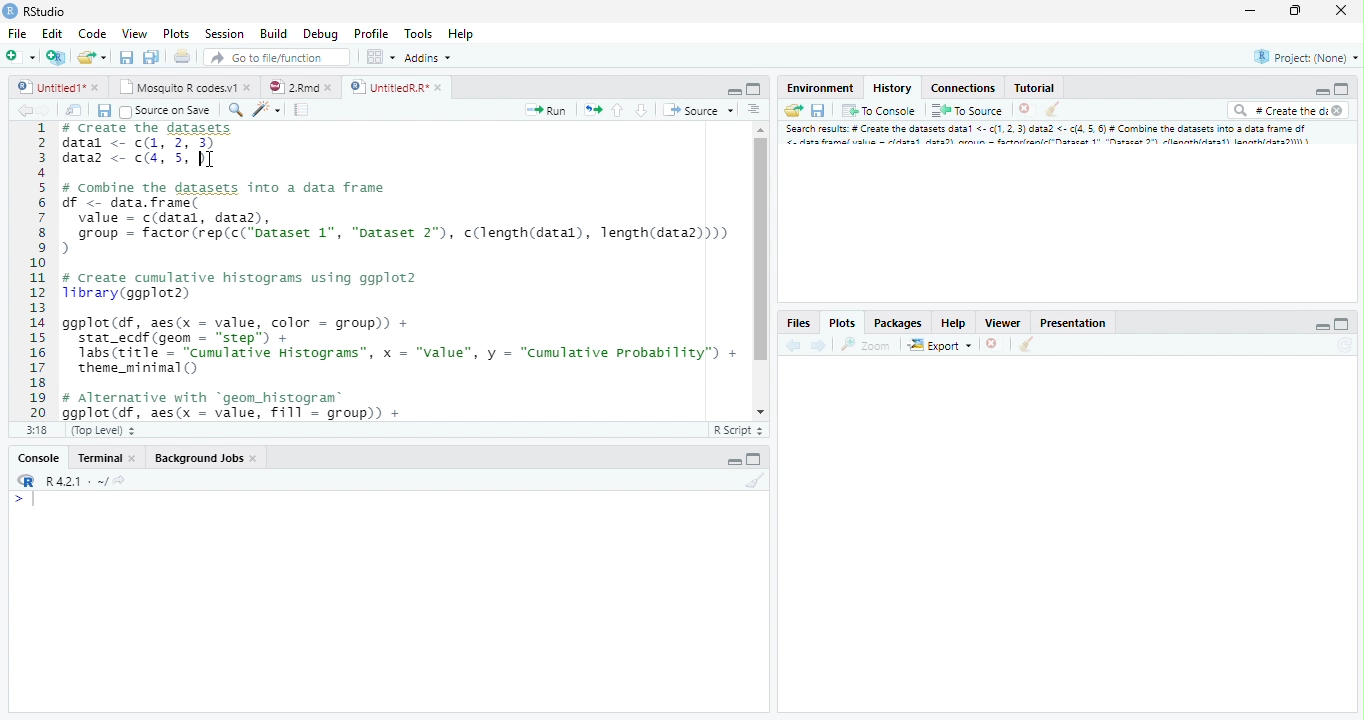 The height and width of the screenshot is (720, 1364). I want to click on Viewer, so click(1002, 323).